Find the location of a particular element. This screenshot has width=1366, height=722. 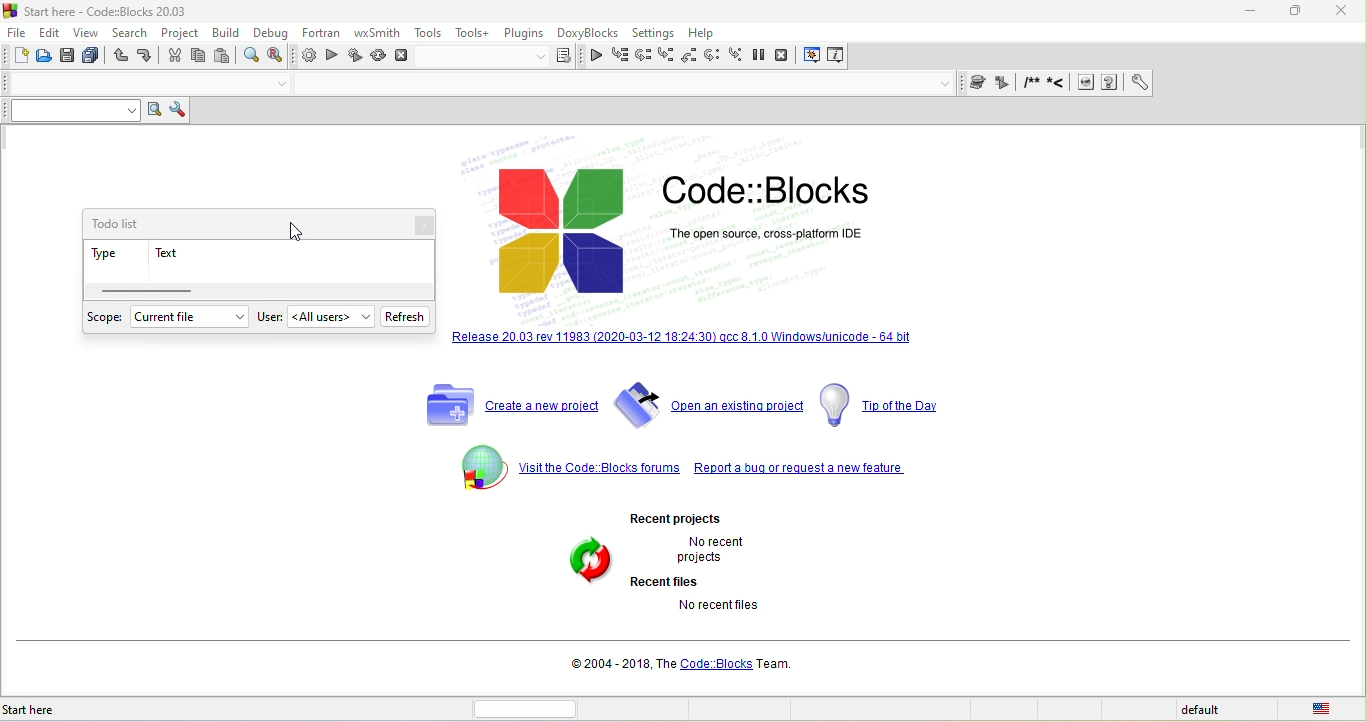

tools+ is located at coordinates (473, 34).